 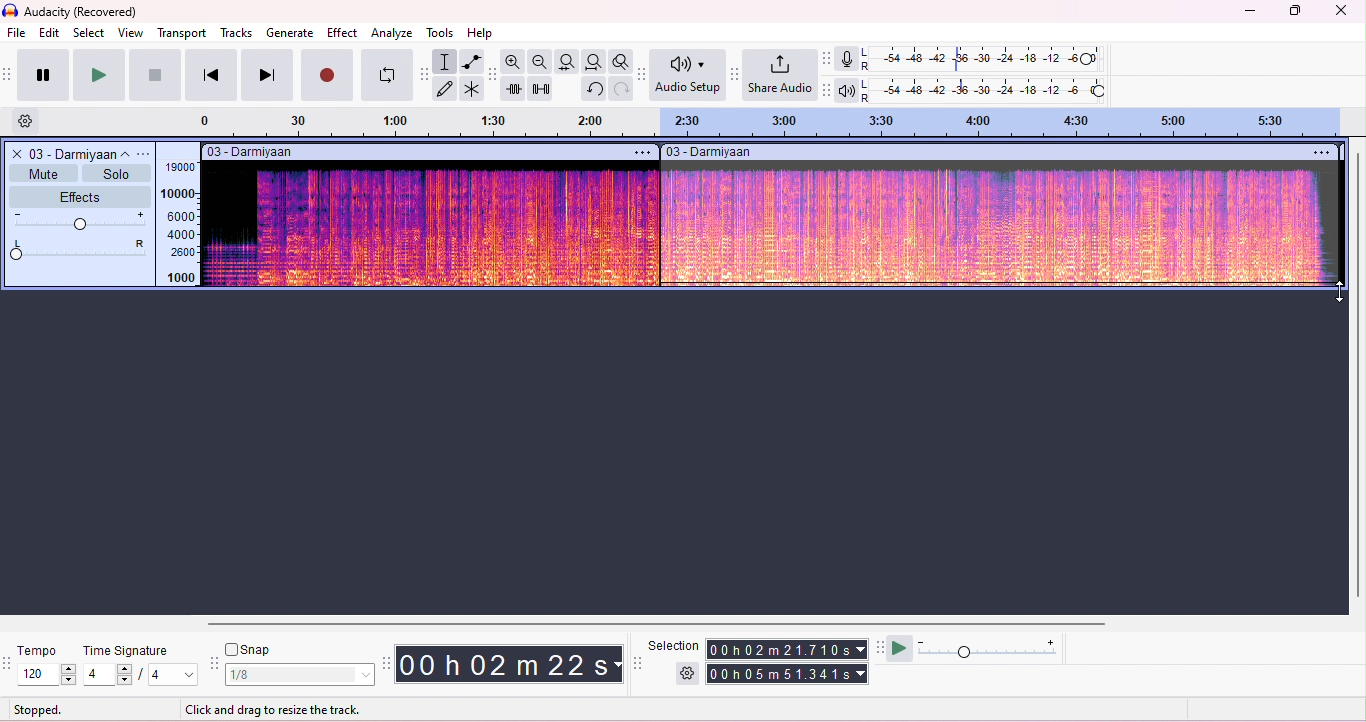 I want to click on file, so click(x=18, y=34).